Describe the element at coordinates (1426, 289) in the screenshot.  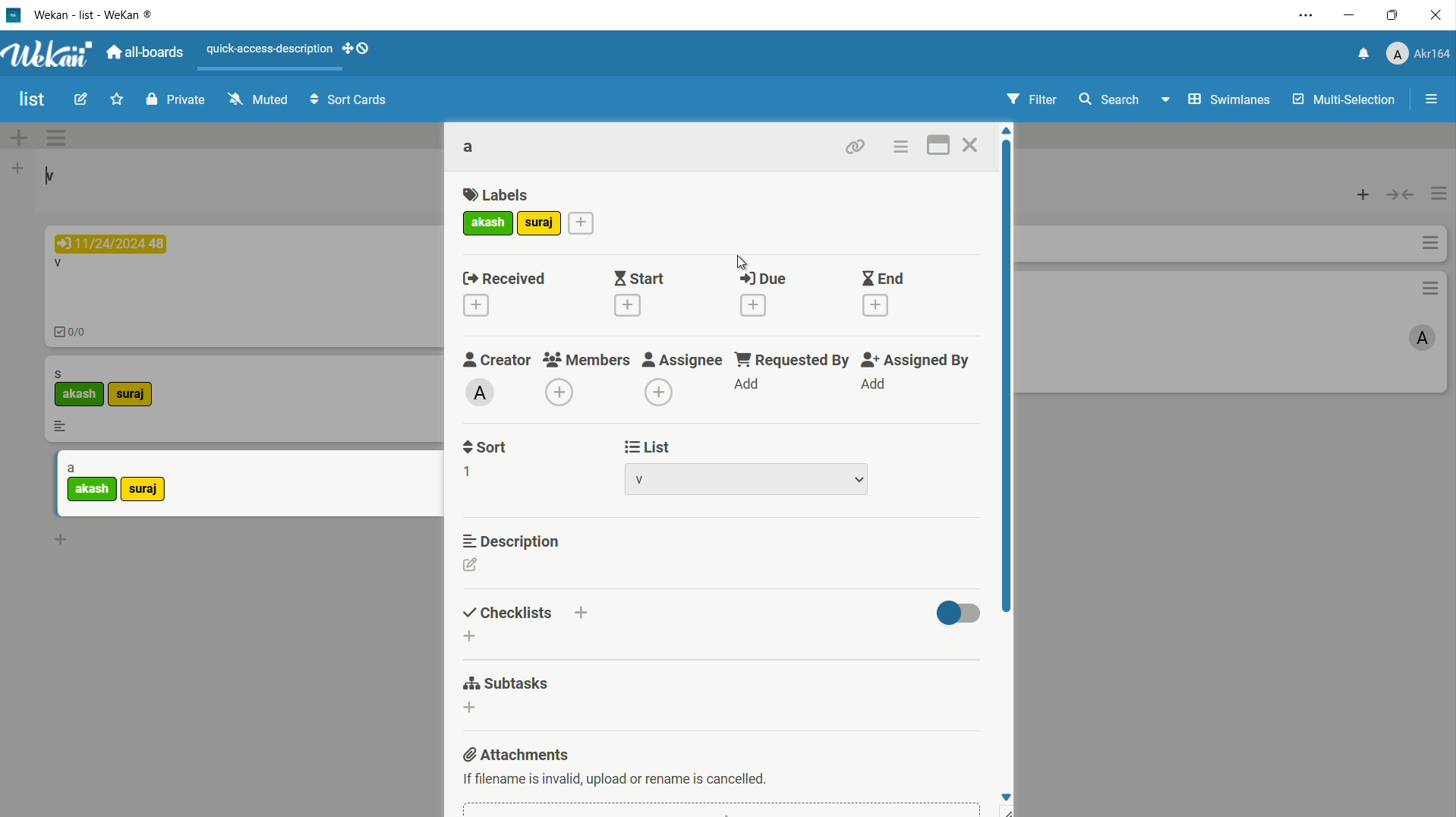
I see `options` at that location.